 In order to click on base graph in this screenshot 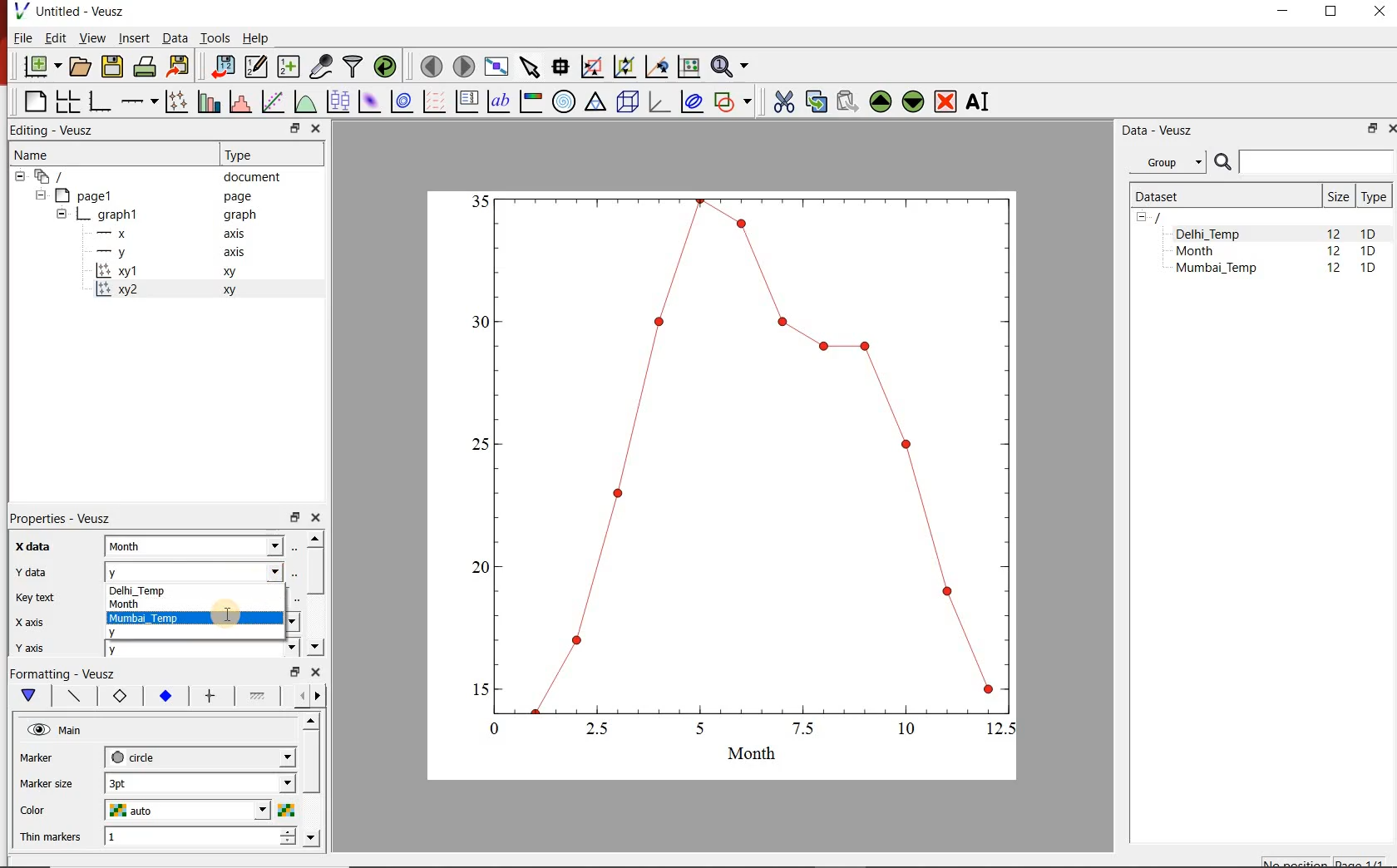, I will do `click(98, 102)`.